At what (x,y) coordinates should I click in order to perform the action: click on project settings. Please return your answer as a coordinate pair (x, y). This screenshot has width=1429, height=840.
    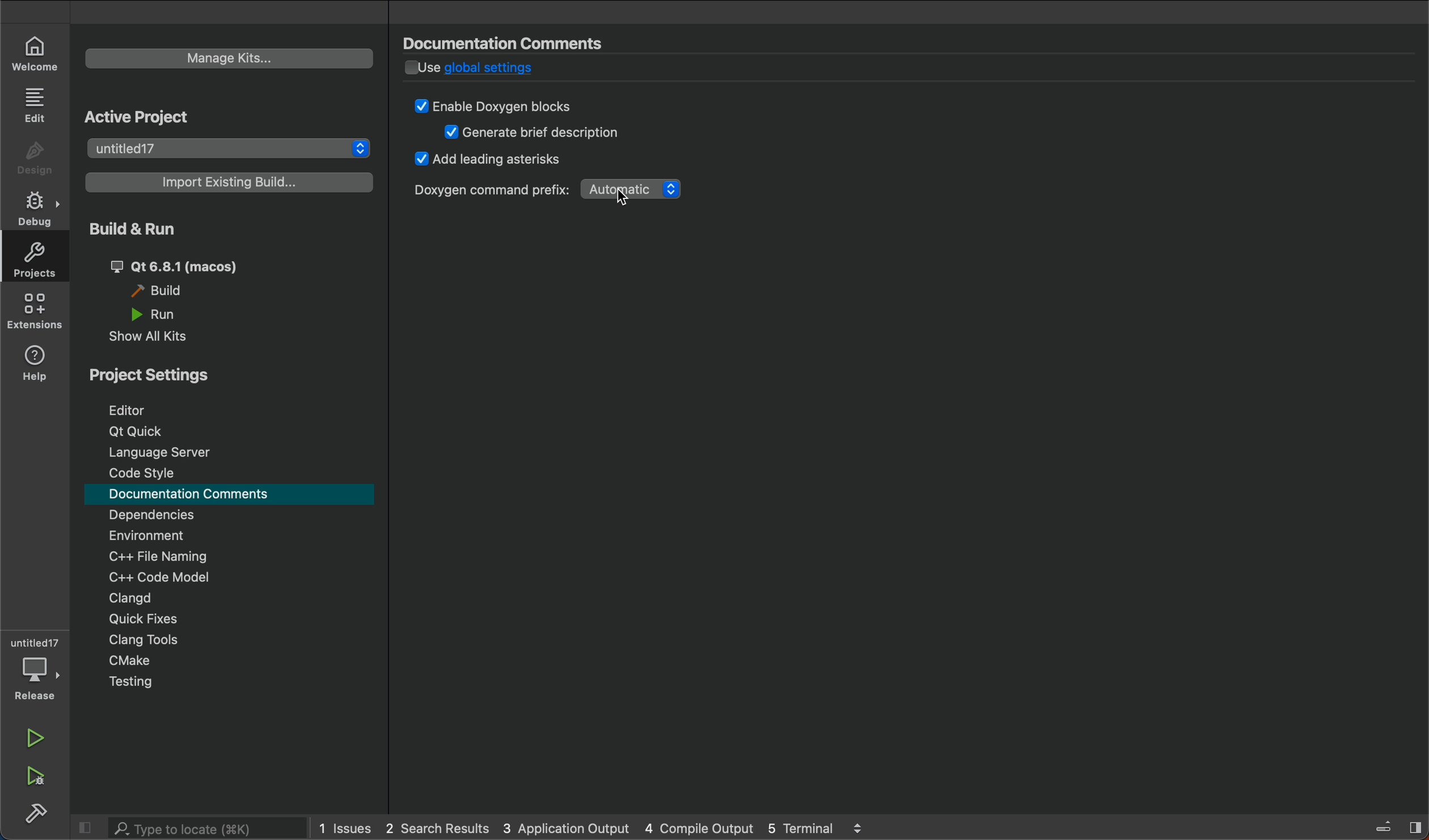
    Looking at the image, I should click on (231, 375).